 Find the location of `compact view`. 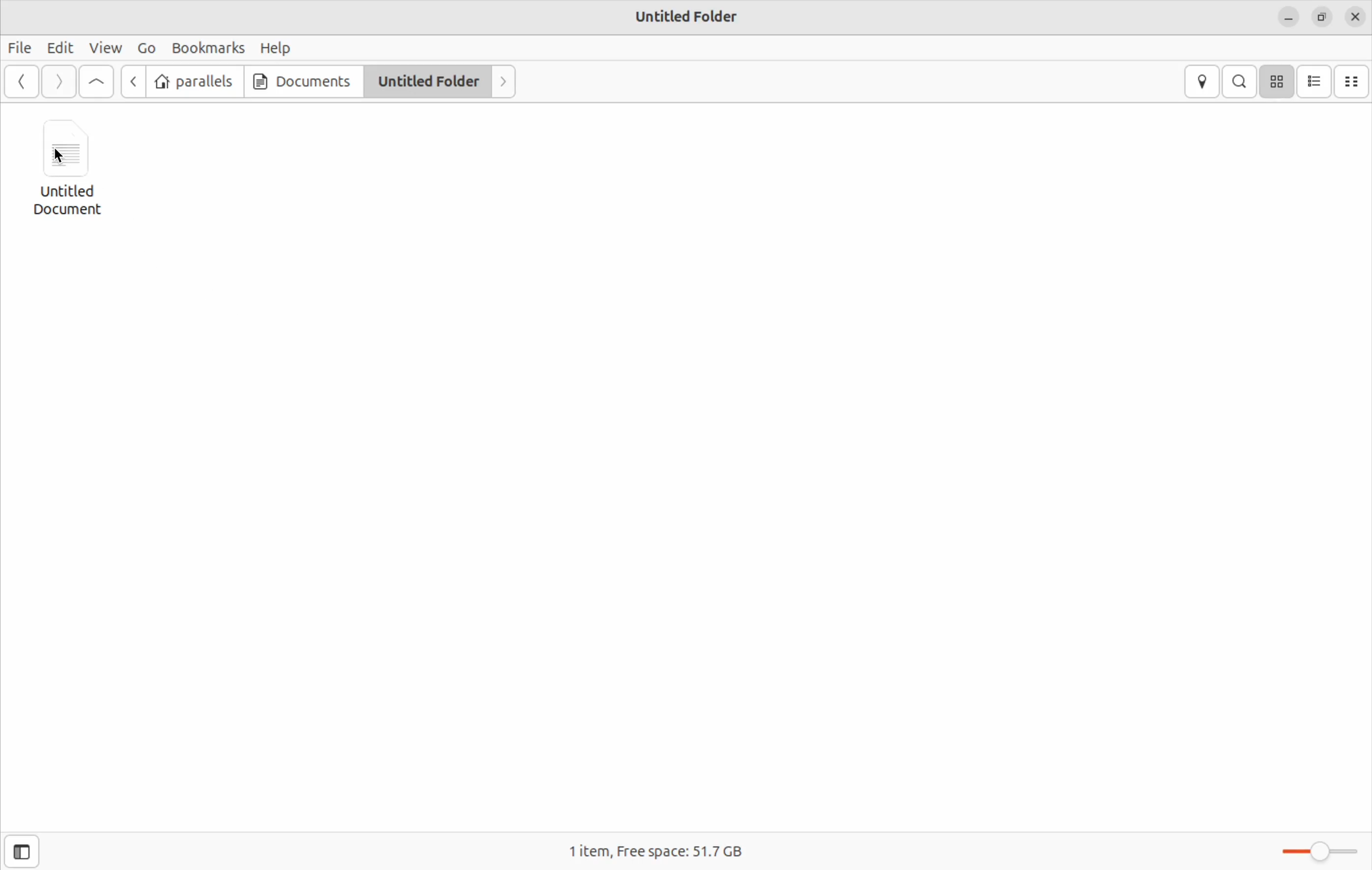

compact view is located at coordinates (1353, 83).